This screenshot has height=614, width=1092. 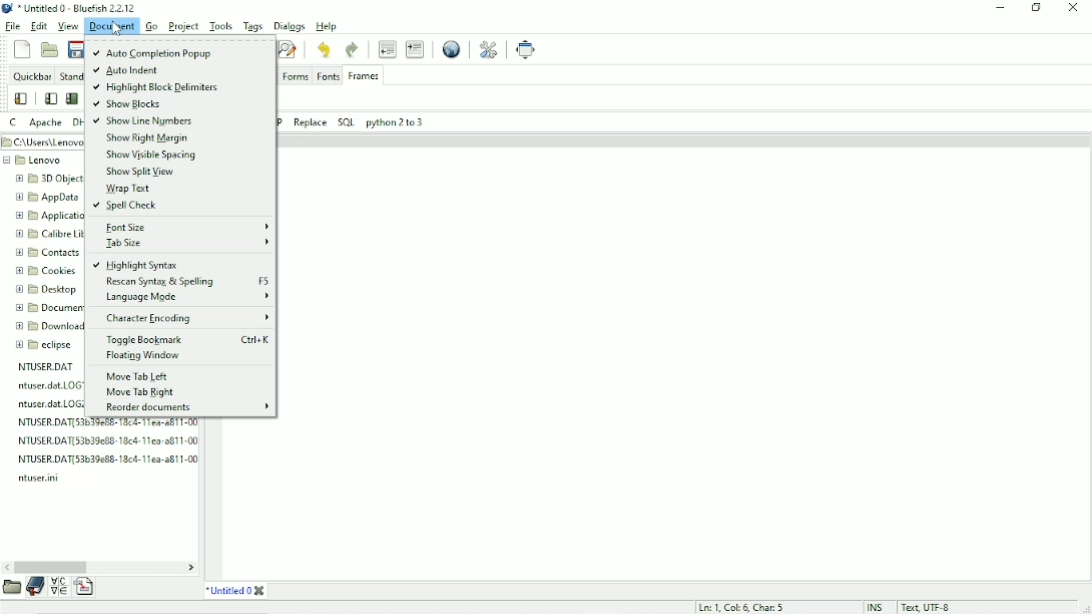 What do you see at coordinates (192, 566) in the screenshot?
I see `scroll right` at bounding box center [192, 566].